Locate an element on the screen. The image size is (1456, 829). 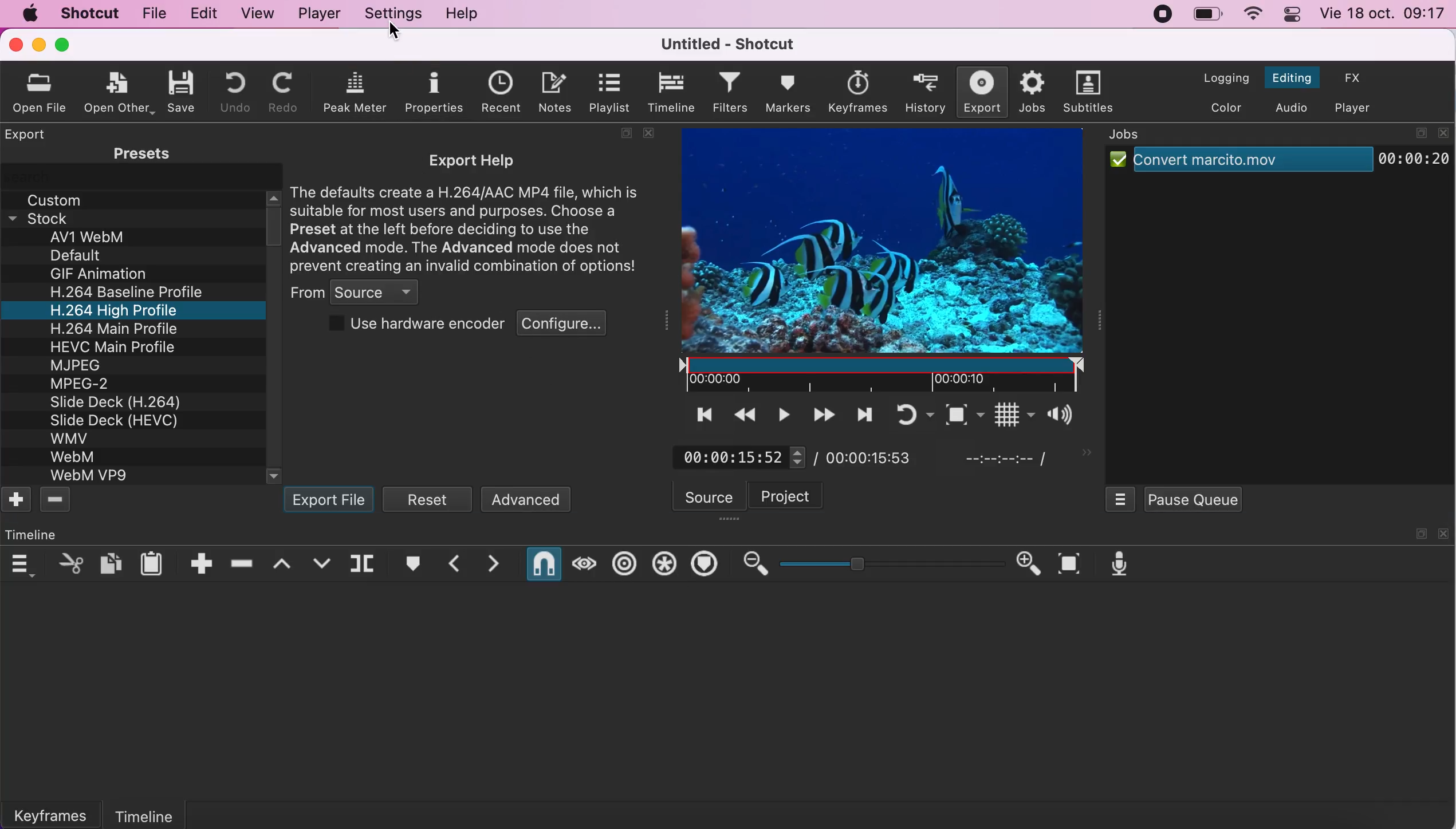
jobs menu is located at coordinates (1121, 498).